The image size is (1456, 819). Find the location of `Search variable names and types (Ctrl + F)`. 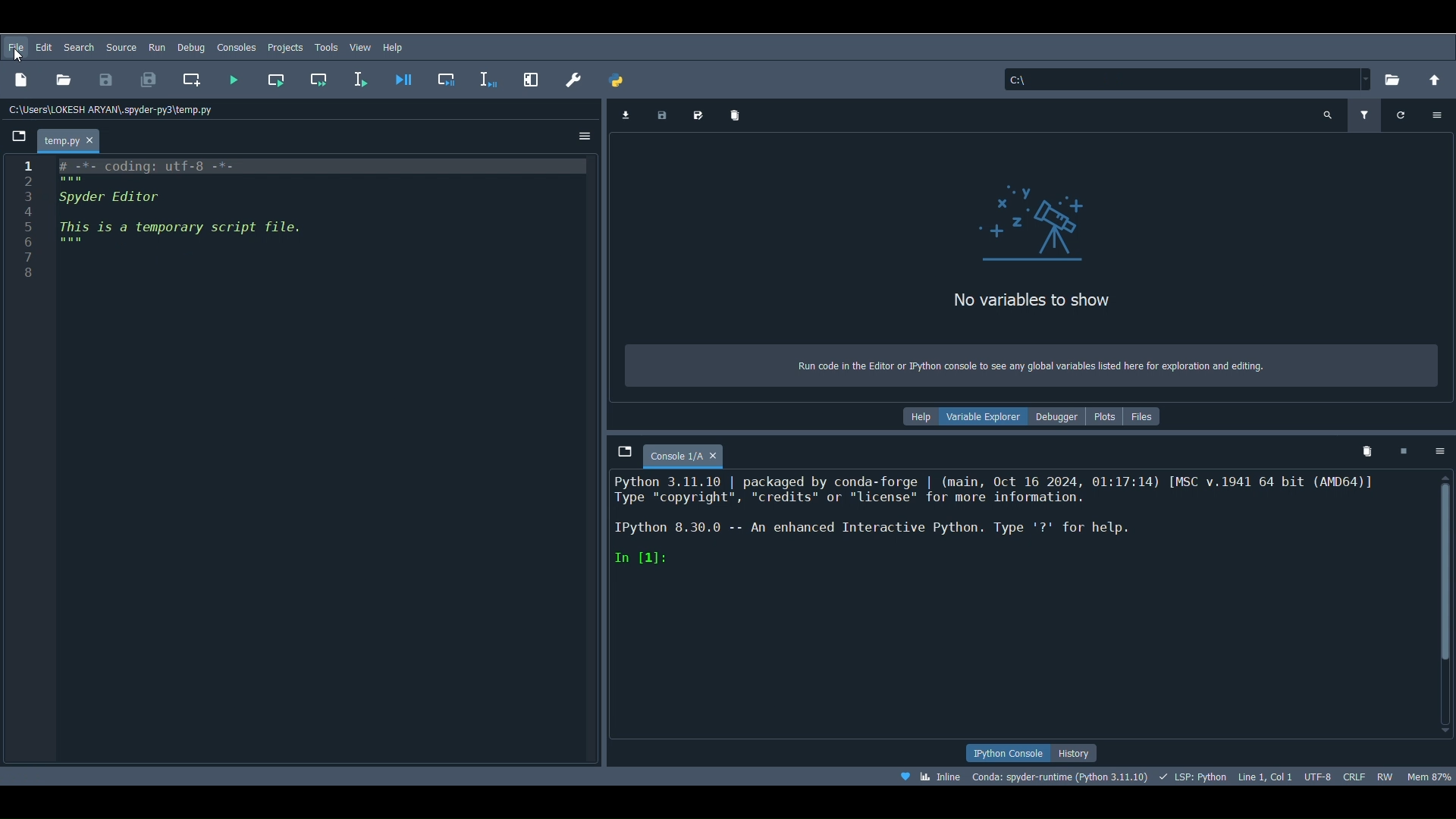

Search variable names and types (Ctrl + F) is located at coordinates (1327, 112).